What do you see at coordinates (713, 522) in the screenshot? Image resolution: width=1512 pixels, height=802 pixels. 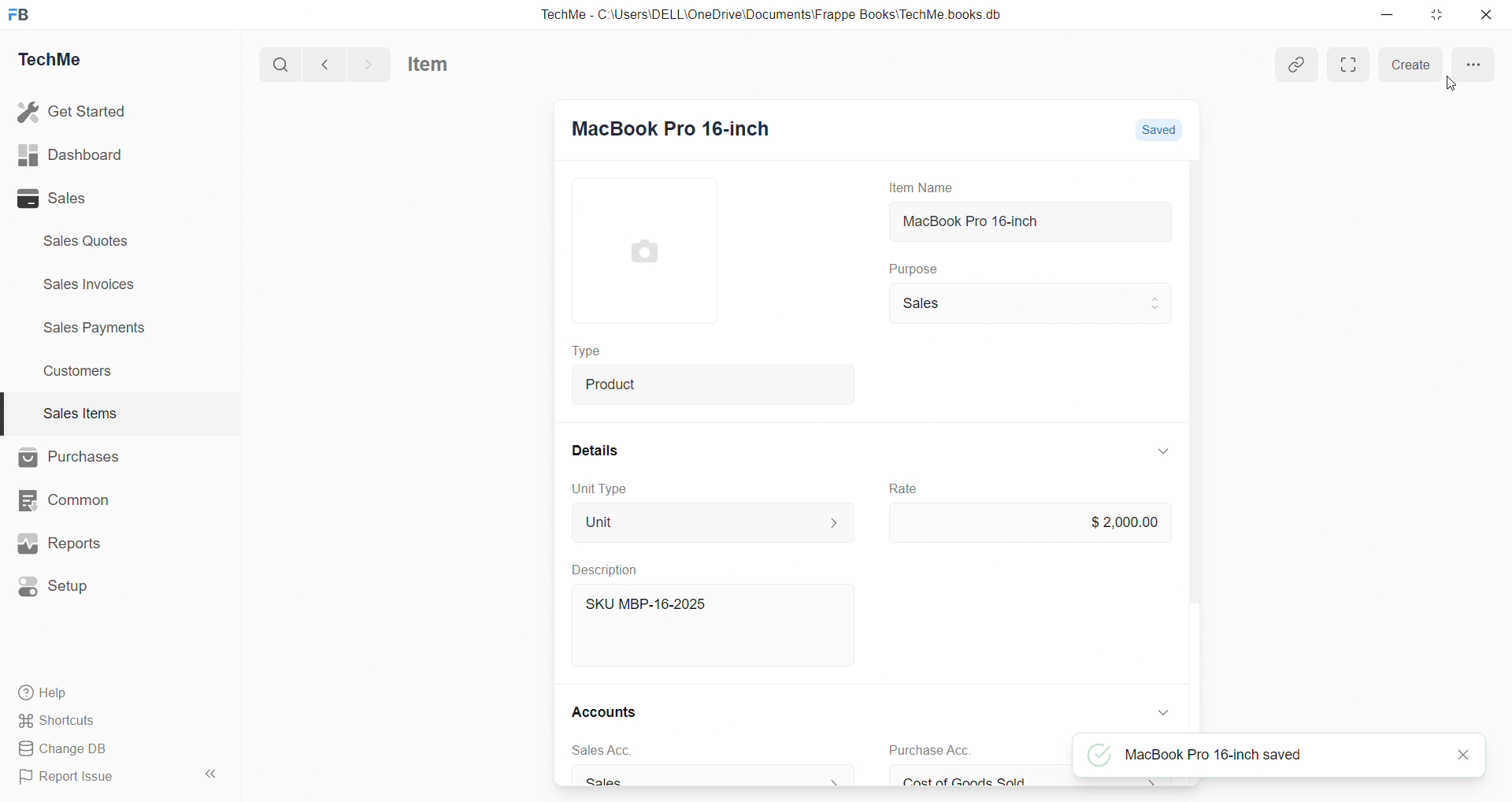 I see `Unit` at bounding box center [713, 522].